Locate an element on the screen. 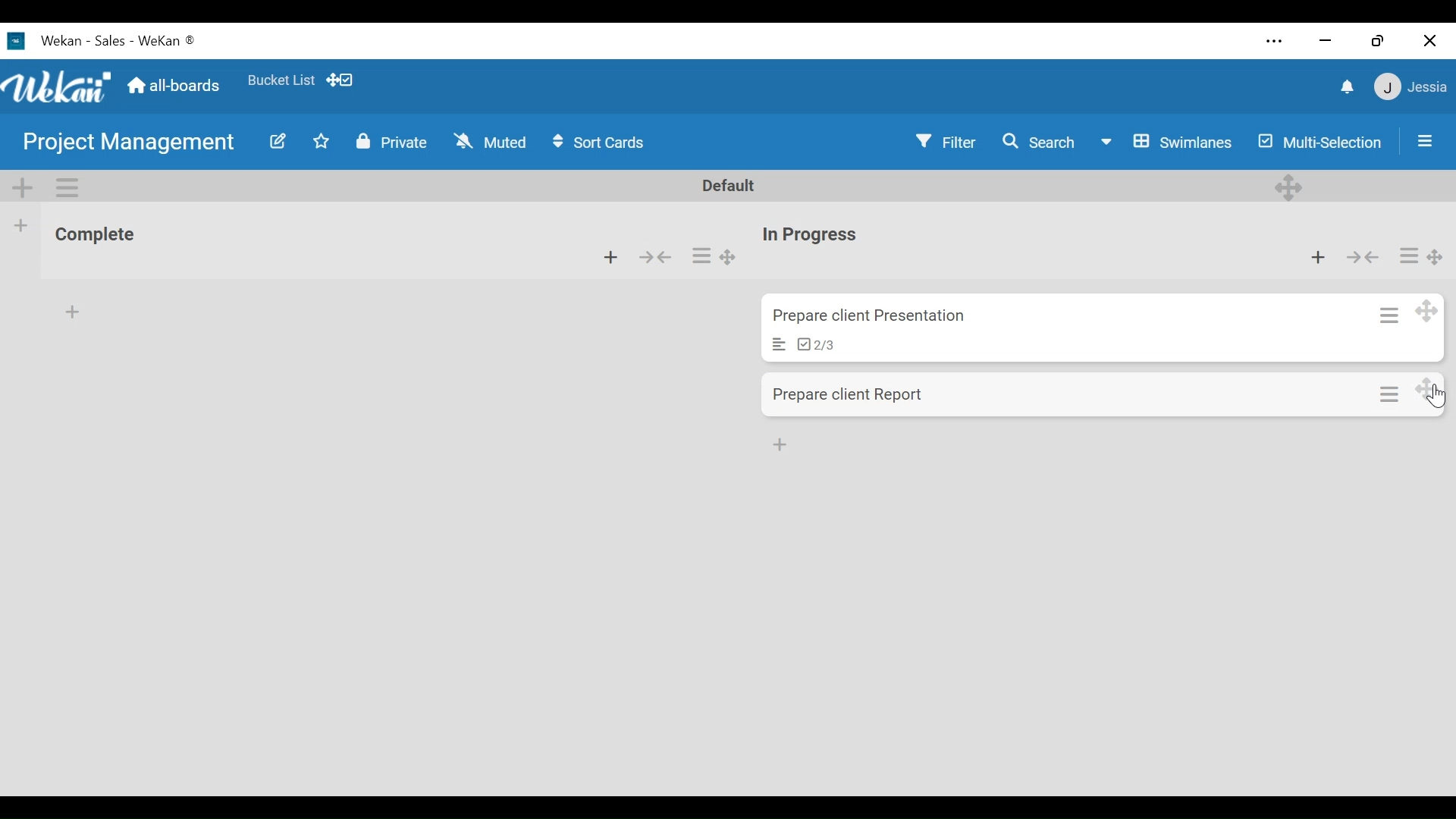 This screenshot has width=1456, height=819. Muted is located at coordinates (486, 140).